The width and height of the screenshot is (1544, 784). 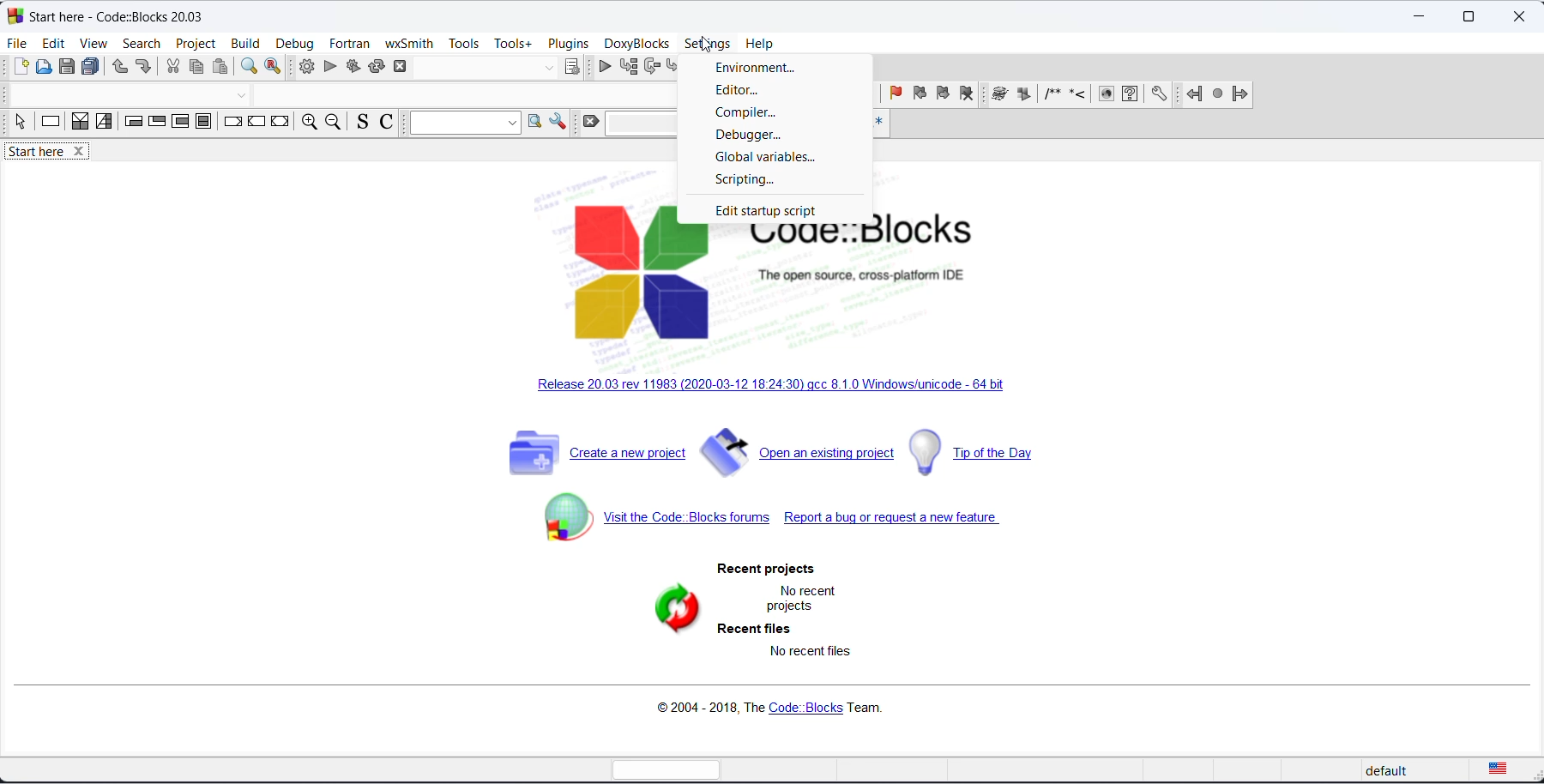 What do you see at coordinates (707, 44) in the screenshot?
I see `cursor` at bounding box center [707, 44].